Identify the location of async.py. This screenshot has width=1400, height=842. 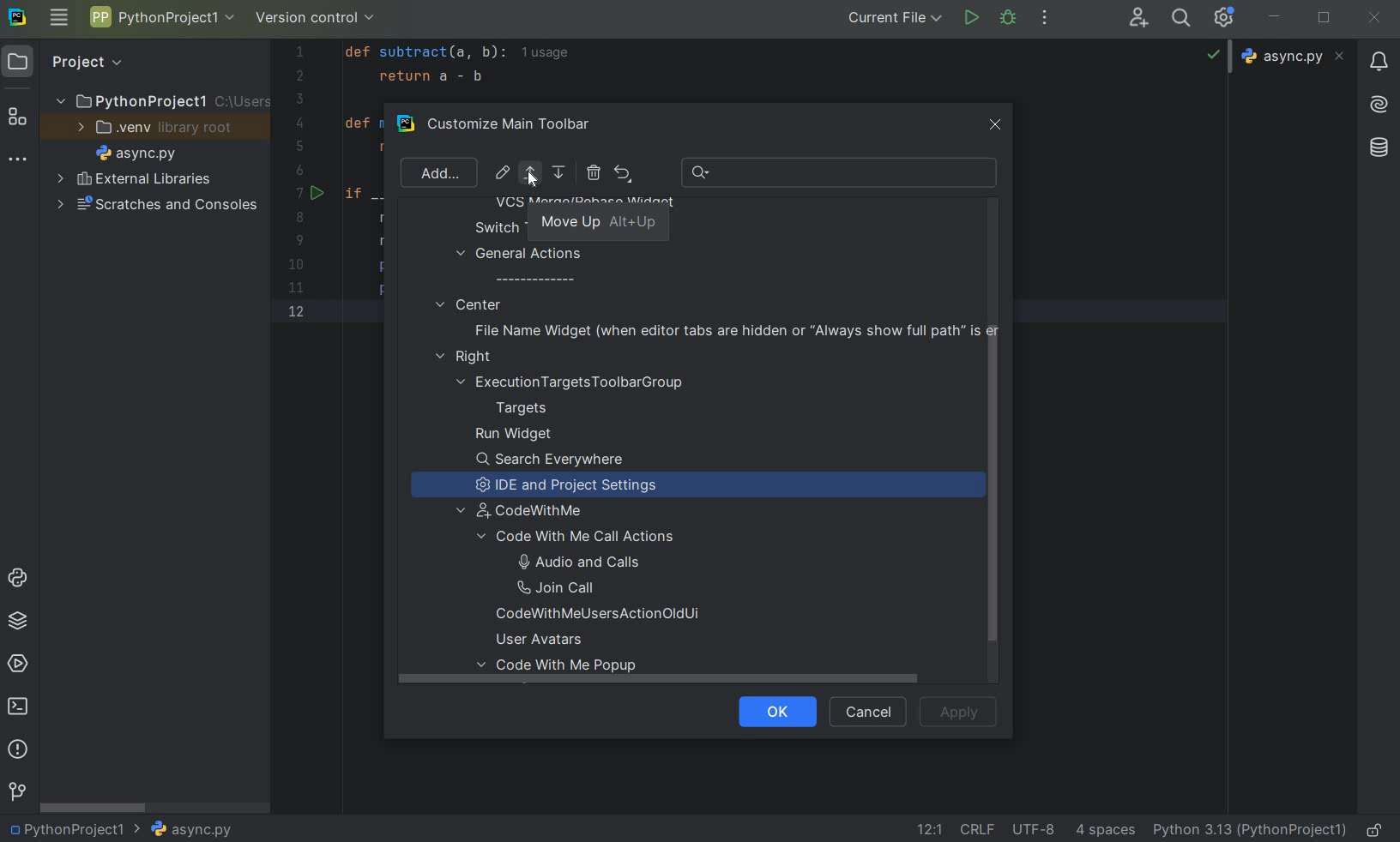
(1295, 57).